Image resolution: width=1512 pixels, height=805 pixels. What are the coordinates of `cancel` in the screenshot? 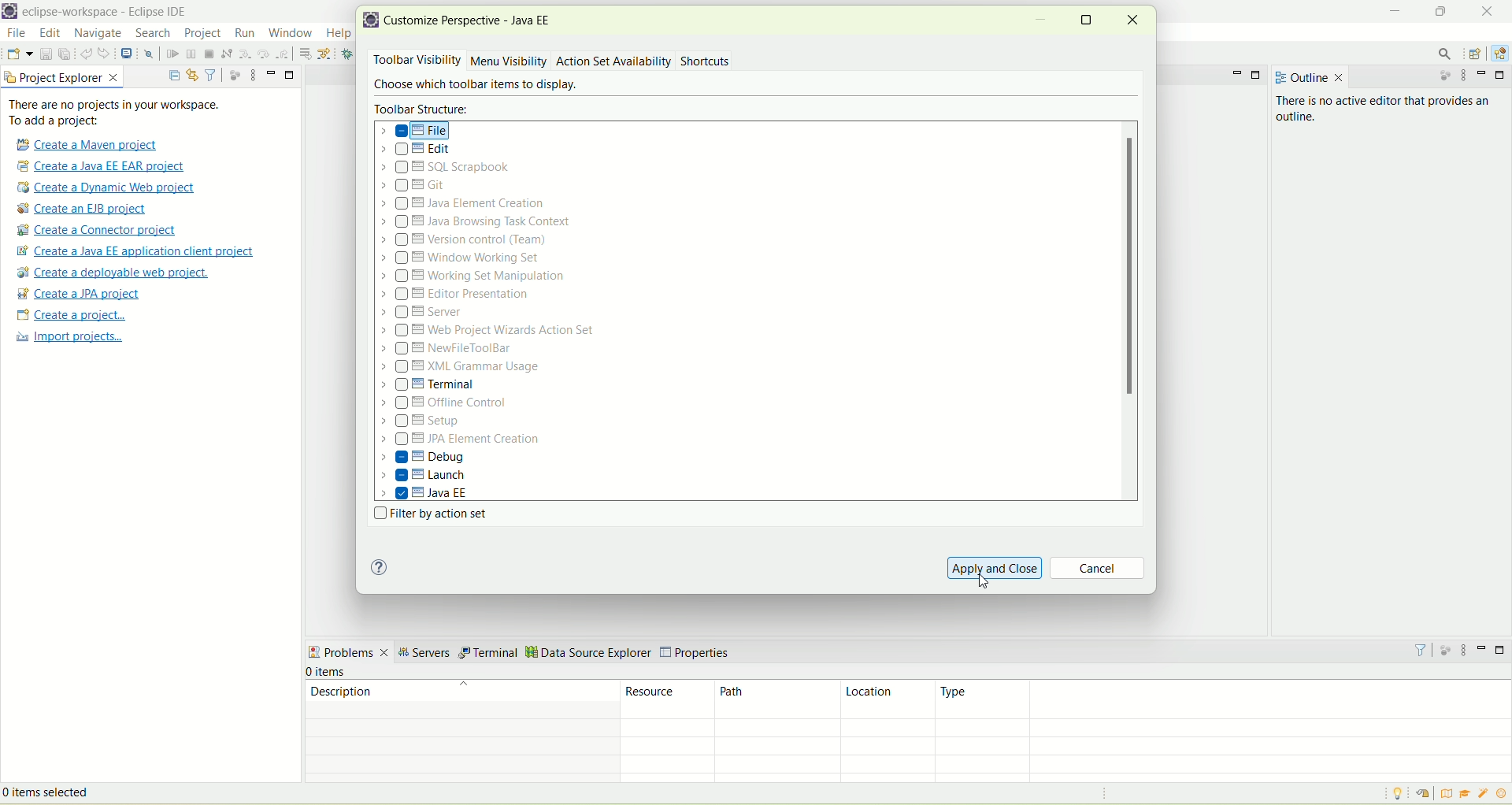 It's located at (1099, 569).